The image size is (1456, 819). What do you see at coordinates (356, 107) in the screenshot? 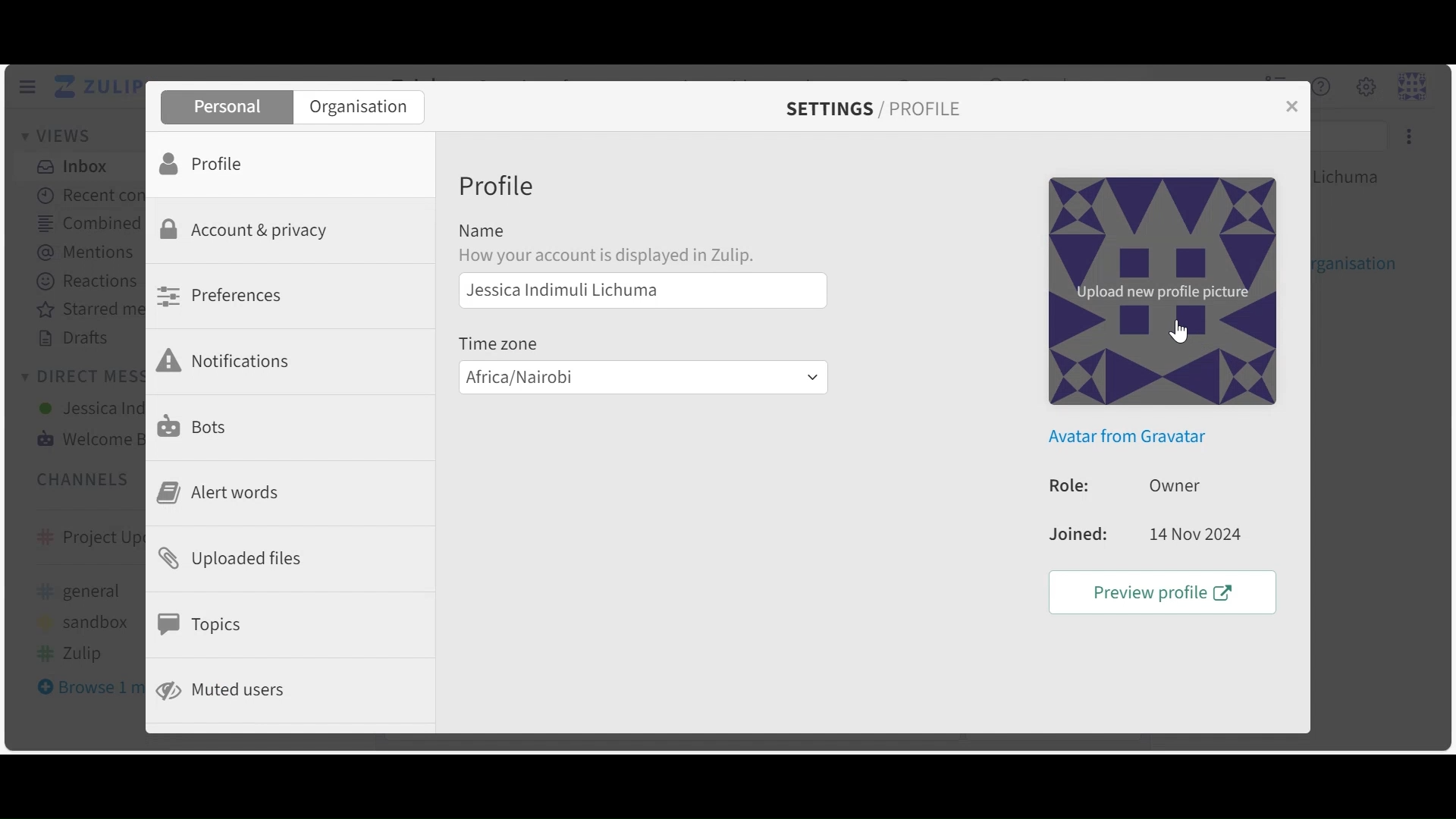
I see `Organisation` at bounding box center [356, 107].